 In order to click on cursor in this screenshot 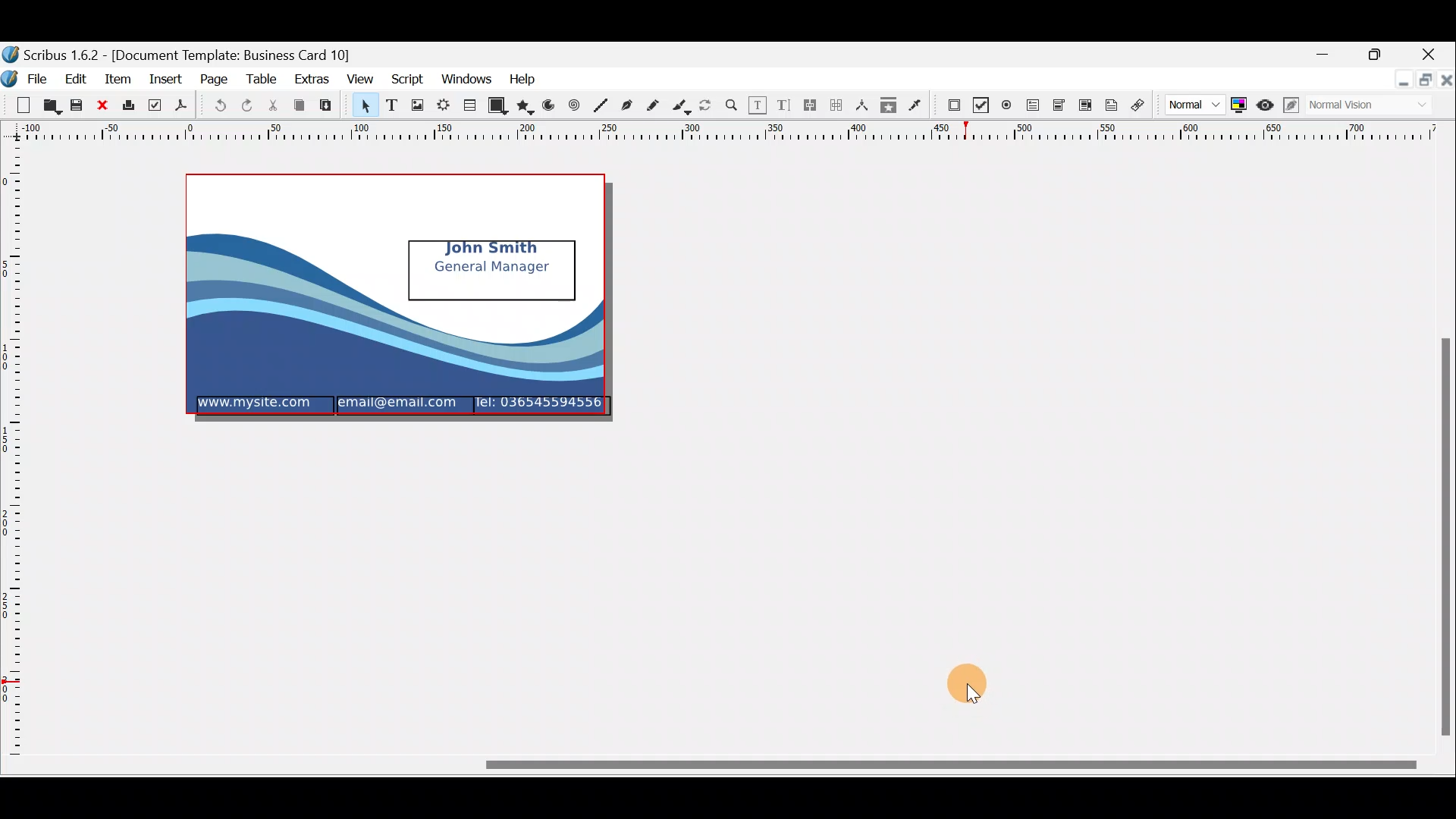, I will do `click(971, 692)`.